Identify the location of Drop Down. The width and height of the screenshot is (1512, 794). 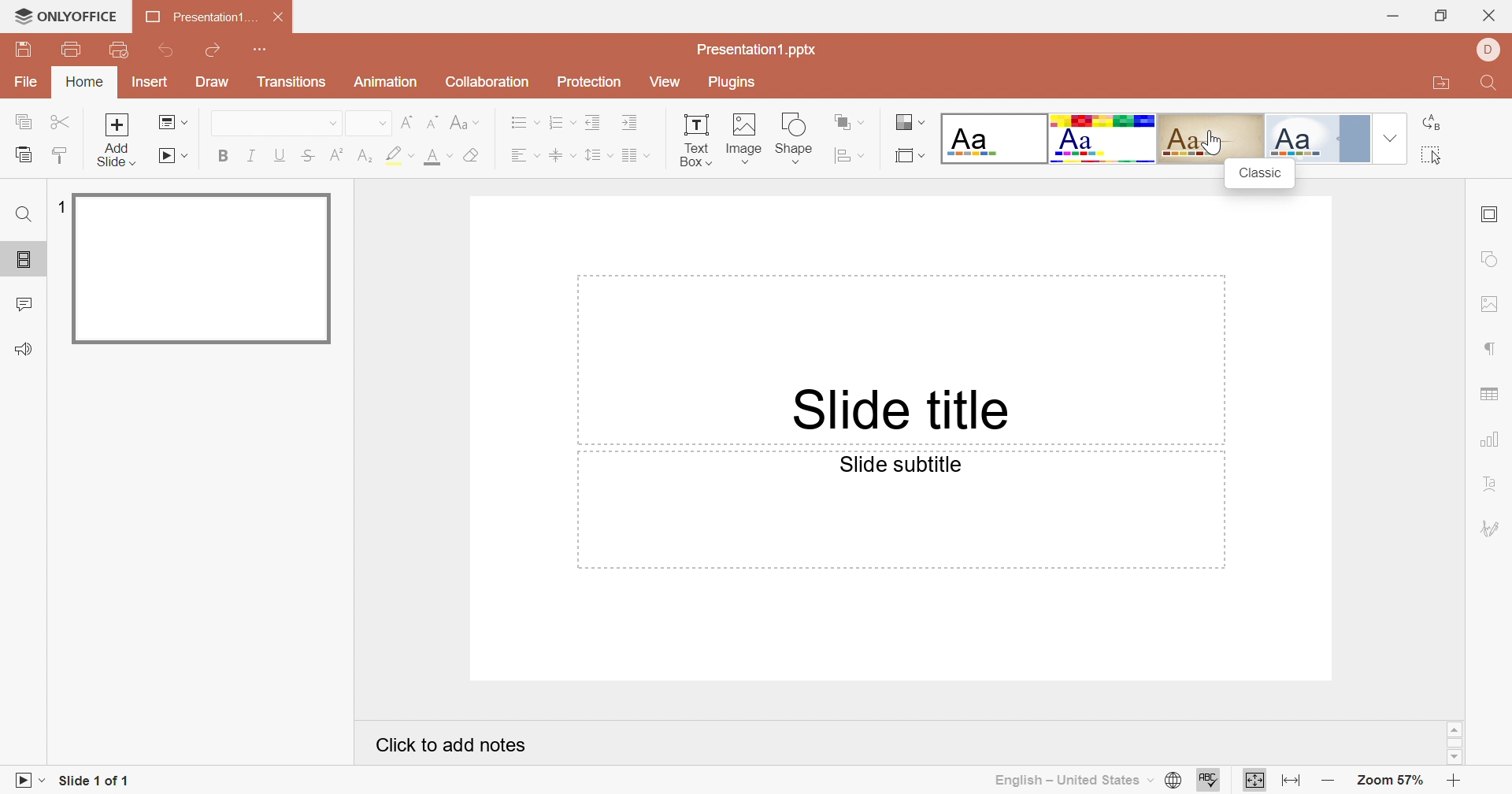
(409, 155).